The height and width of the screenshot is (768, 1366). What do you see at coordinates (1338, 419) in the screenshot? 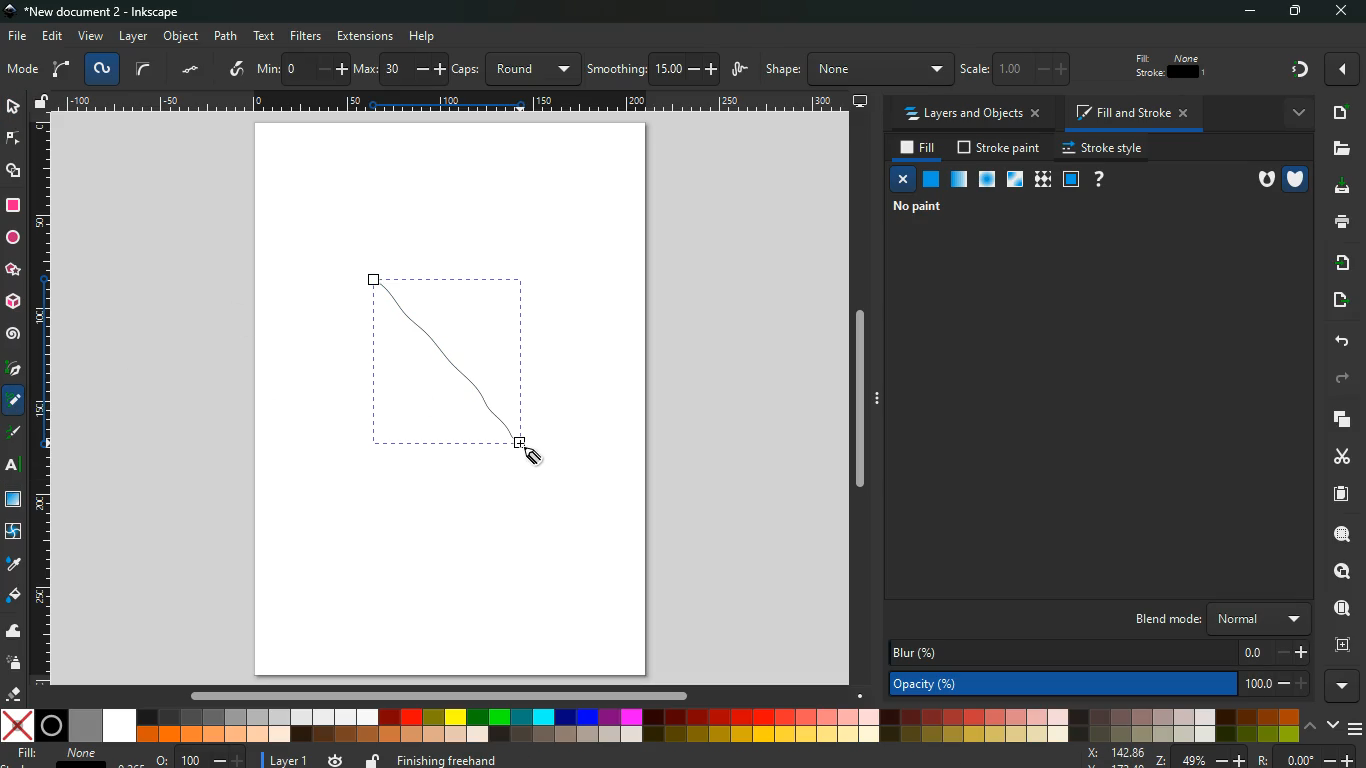
I see `layers` at bounding box center [1338, 419].